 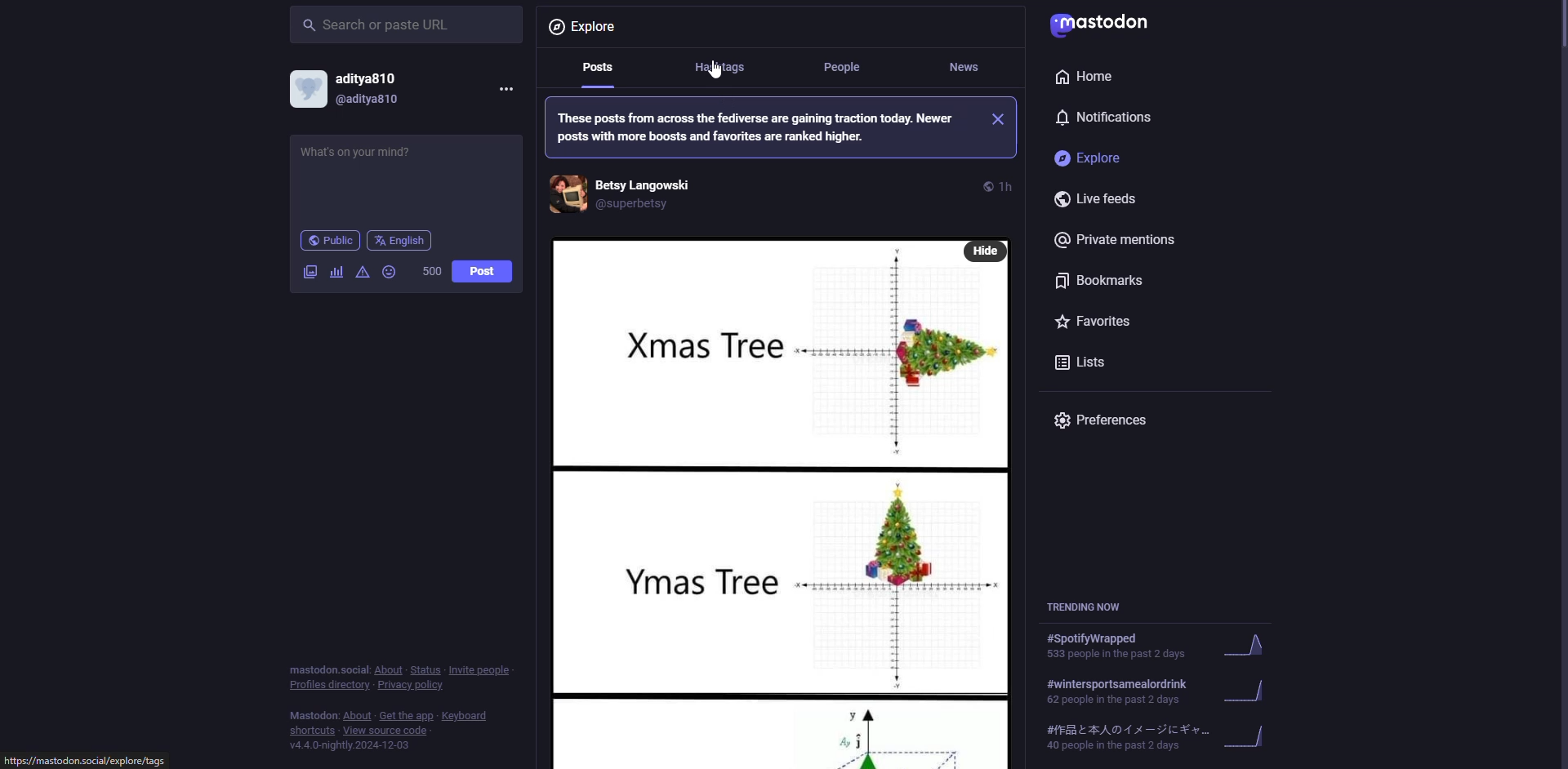 What do you see at coordinates (1156, 647) in the screenshot?
I see `trending ` at bounding box center [1156, 647].